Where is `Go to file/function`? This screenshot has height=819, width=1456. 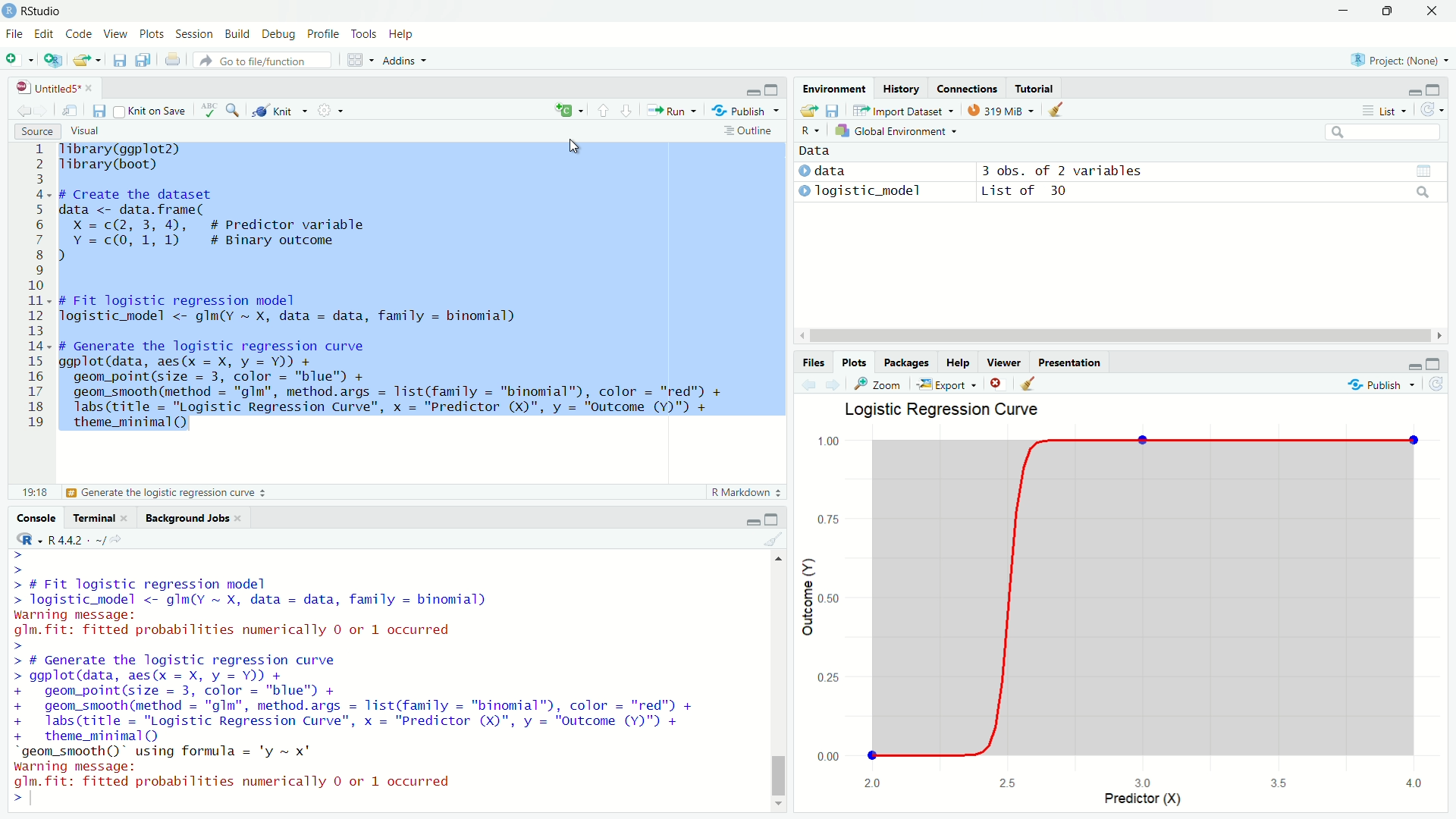
Go to file/function is located at coordinates (262, 60).